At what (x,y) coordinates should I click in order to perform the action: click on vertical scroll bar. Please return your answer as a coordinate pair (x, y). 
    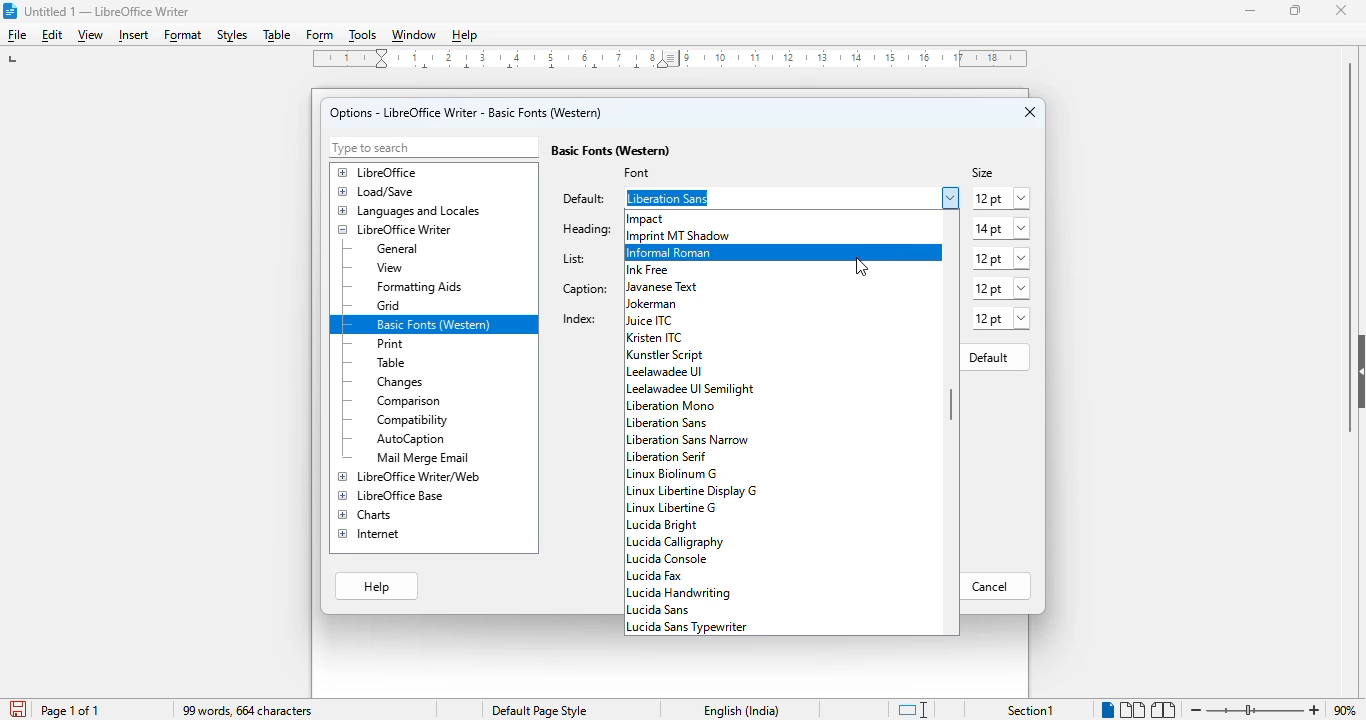
    Looking at the image, I should click on (1342, 245).